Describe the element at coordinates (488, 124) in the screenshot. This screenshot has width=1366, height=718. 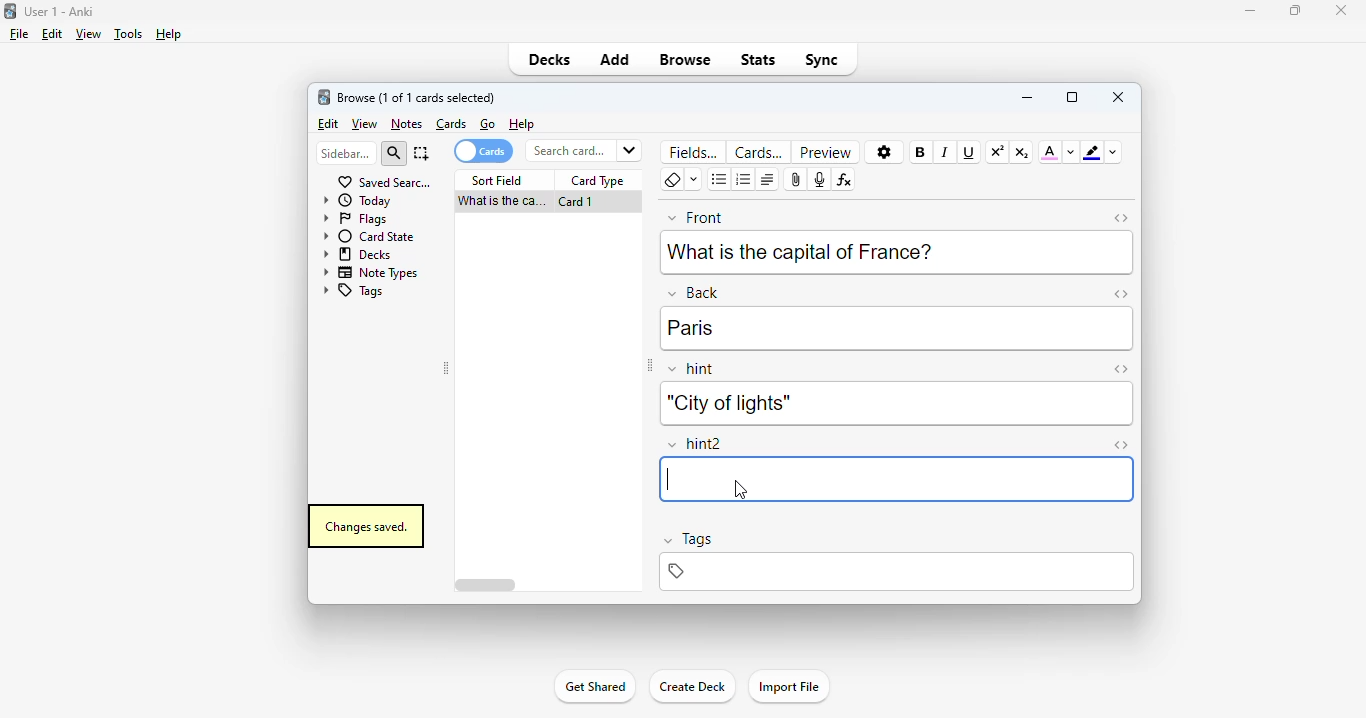
I see `go` at that location.